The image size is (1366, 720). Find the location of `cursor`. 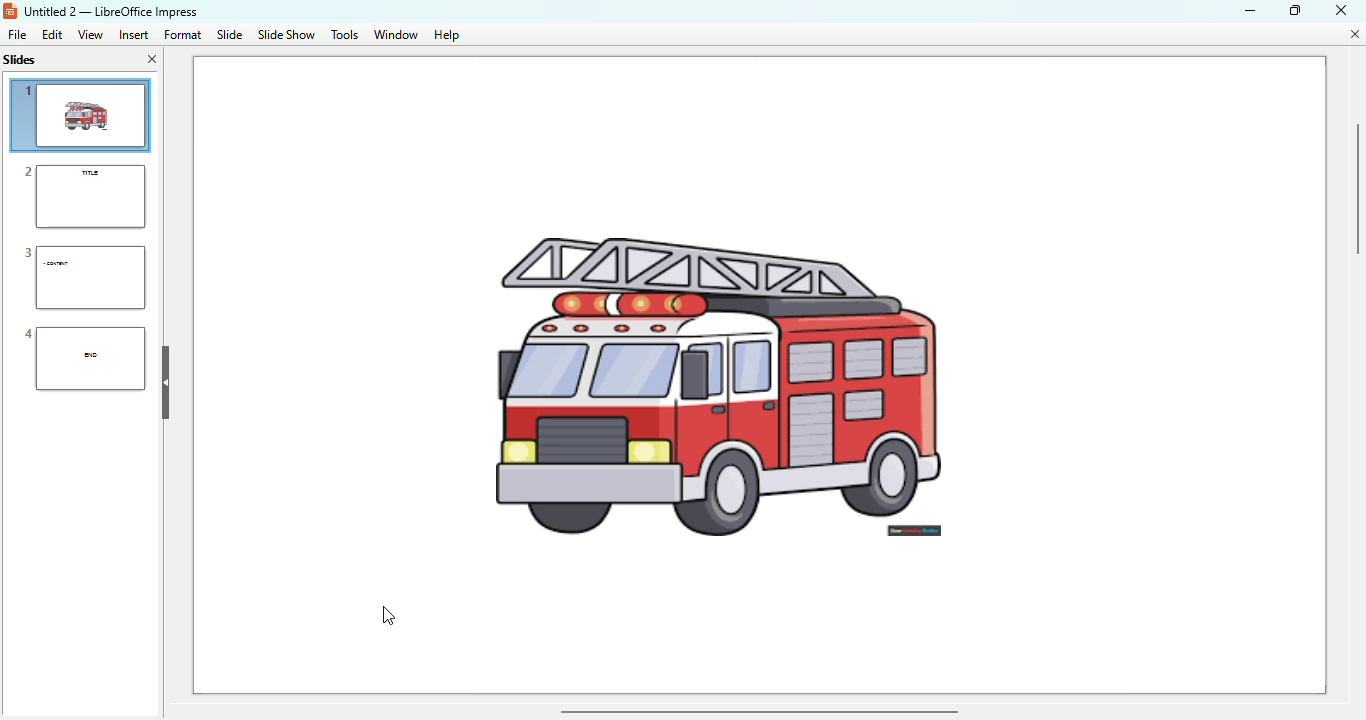

cursor is located at coordinates (117, 386).